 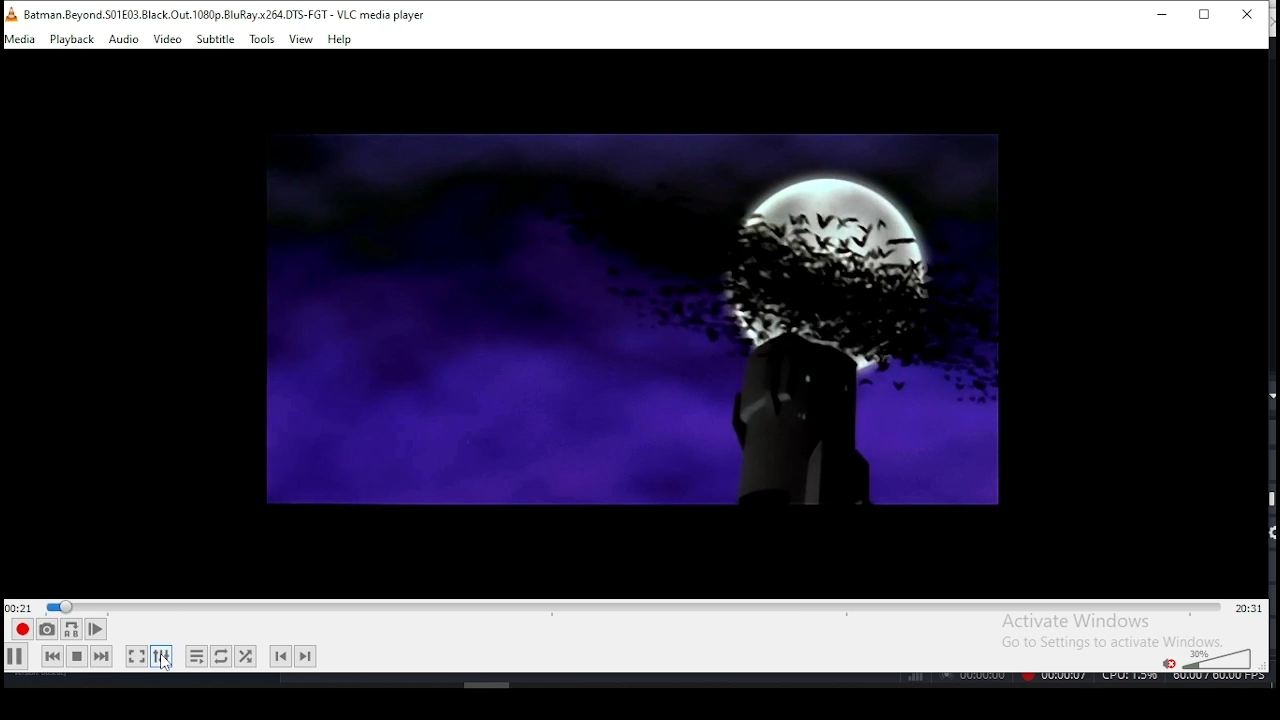 What do you see at coordinates (102, 657) in the screenshot?
I see `next media in track, skips forward when held` at bounding box center [102, 657].